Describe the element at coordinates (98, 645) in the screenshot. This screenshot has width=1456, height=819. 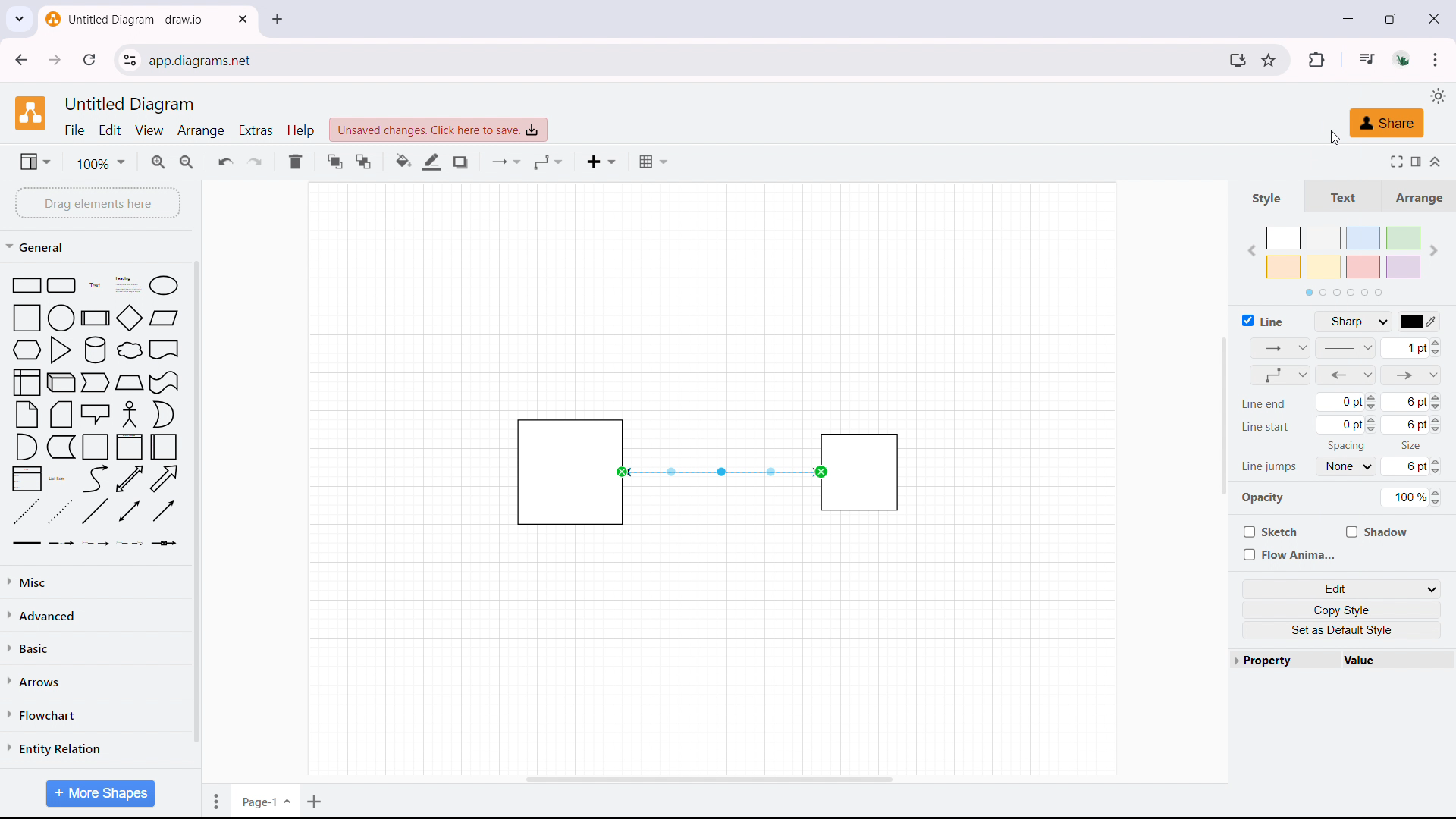
I see `basic` at that location.